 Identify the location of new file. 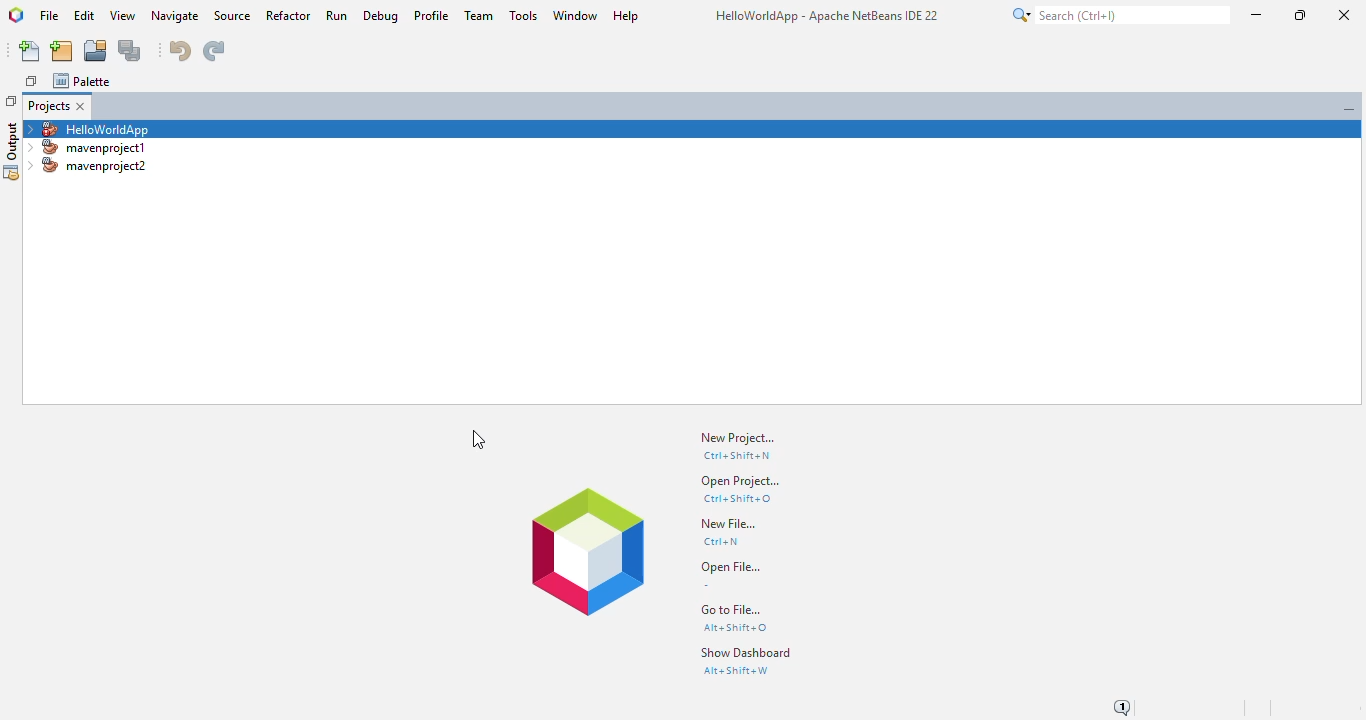
(727, 524).